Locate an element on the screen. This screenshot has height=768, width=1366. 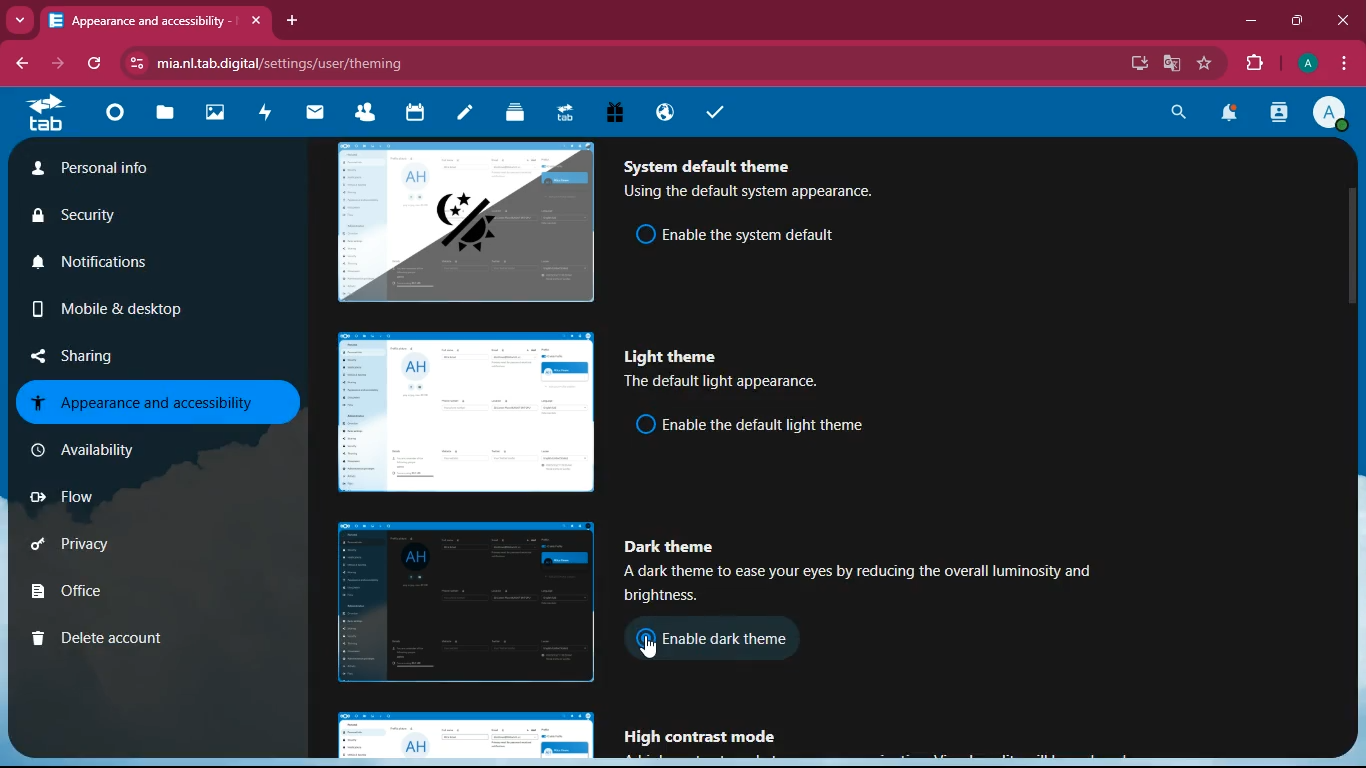
image is located at coordinates (468, 736).